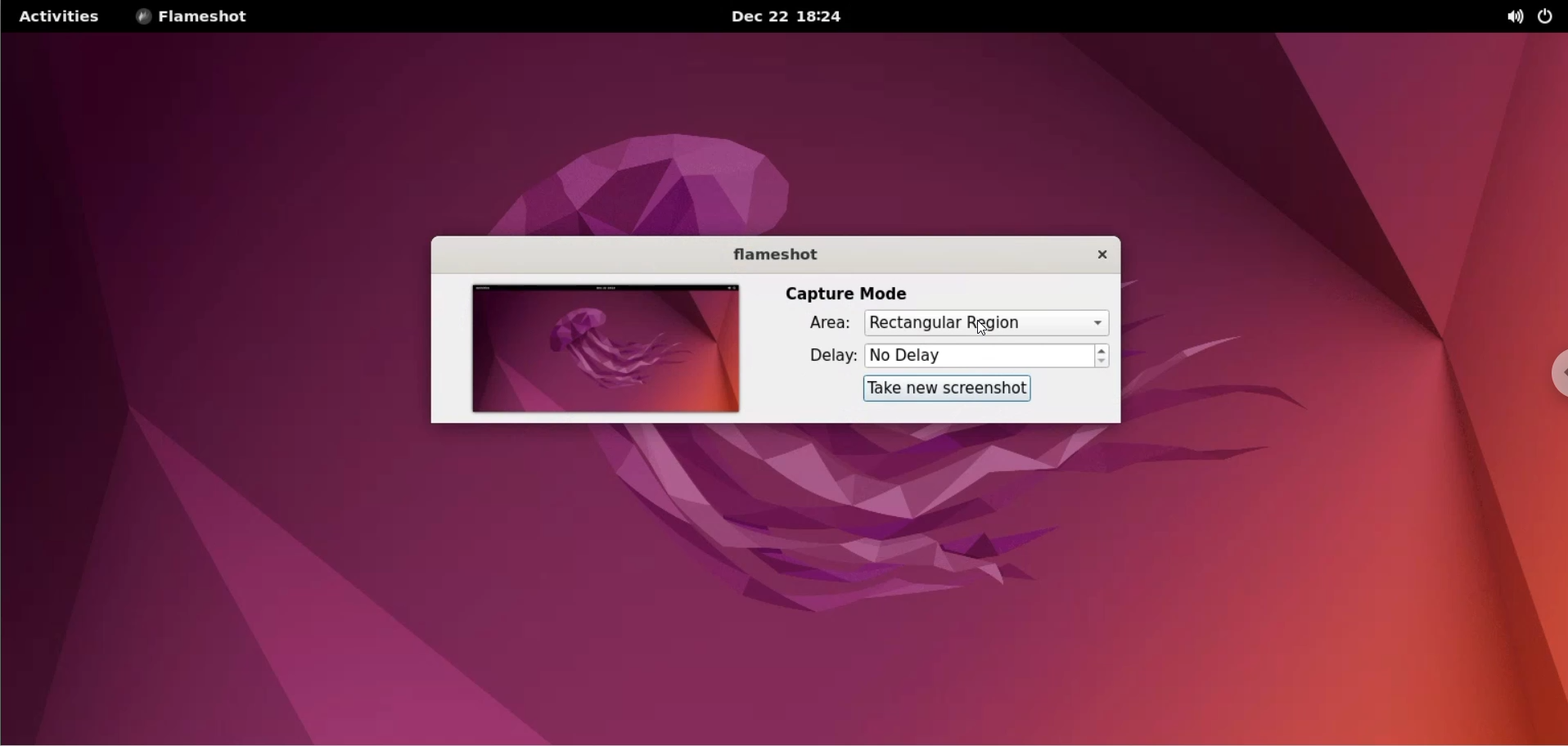 This screenshot has width=1568, height=746. I want to click on power options, so click(1549, 17).